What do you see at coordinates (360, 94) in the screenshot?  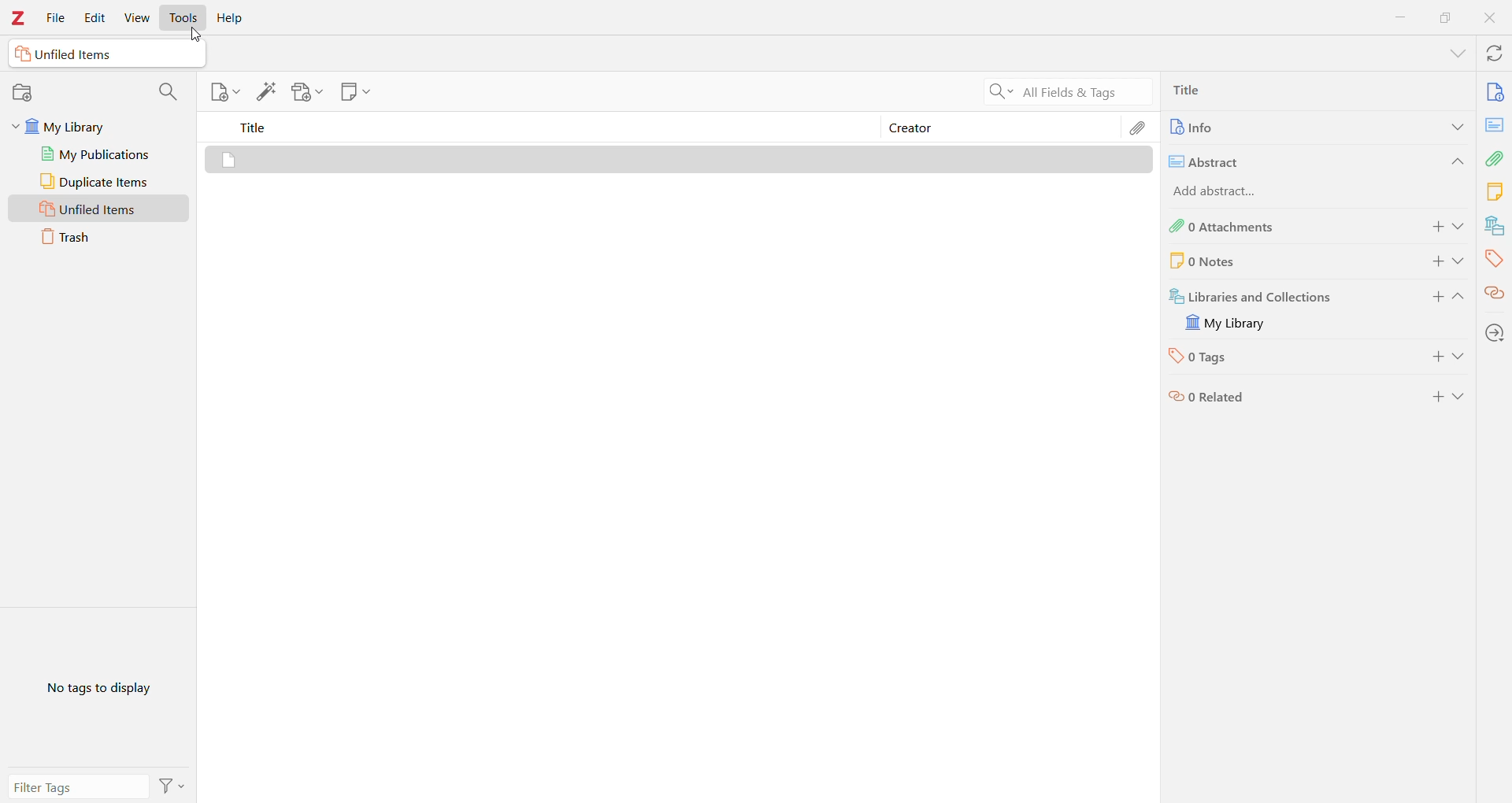 I see `New Note` at bounding box center [360, 94].